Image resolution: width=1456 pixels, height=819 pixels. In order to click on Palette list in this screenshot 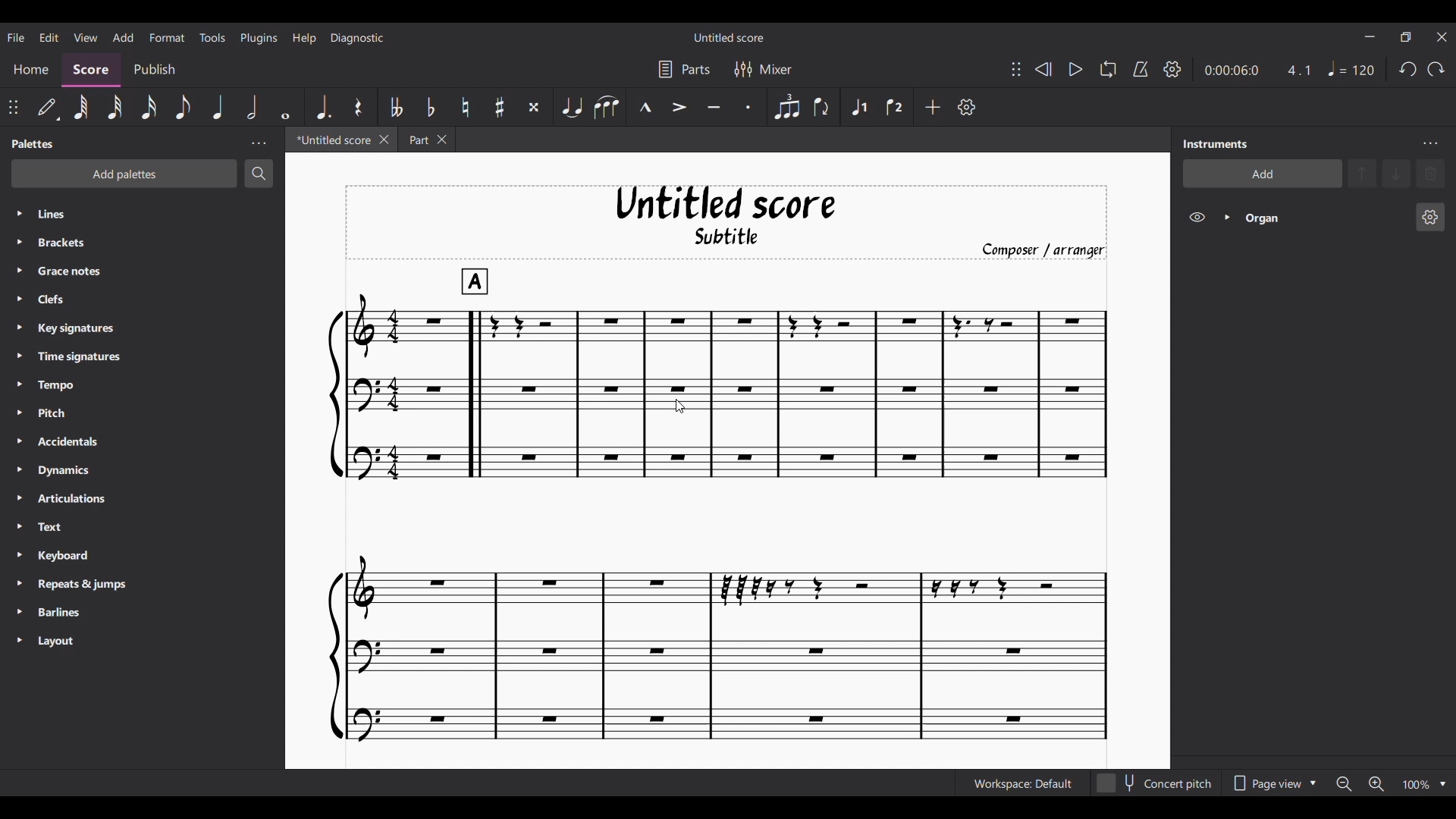, I will do `click(158, 427)`.